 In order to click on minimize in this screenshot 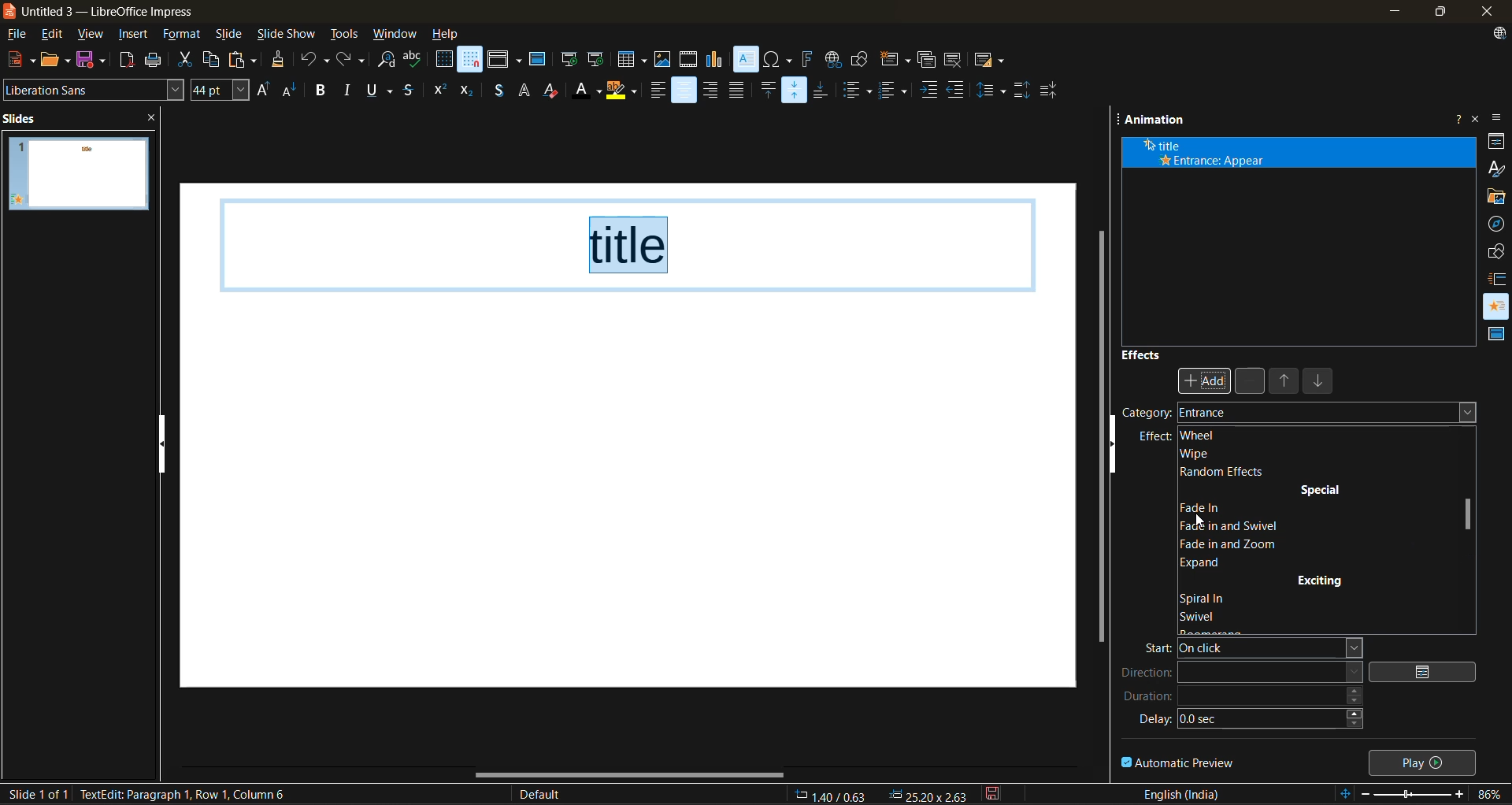, I will do `click(1392, 11)`.